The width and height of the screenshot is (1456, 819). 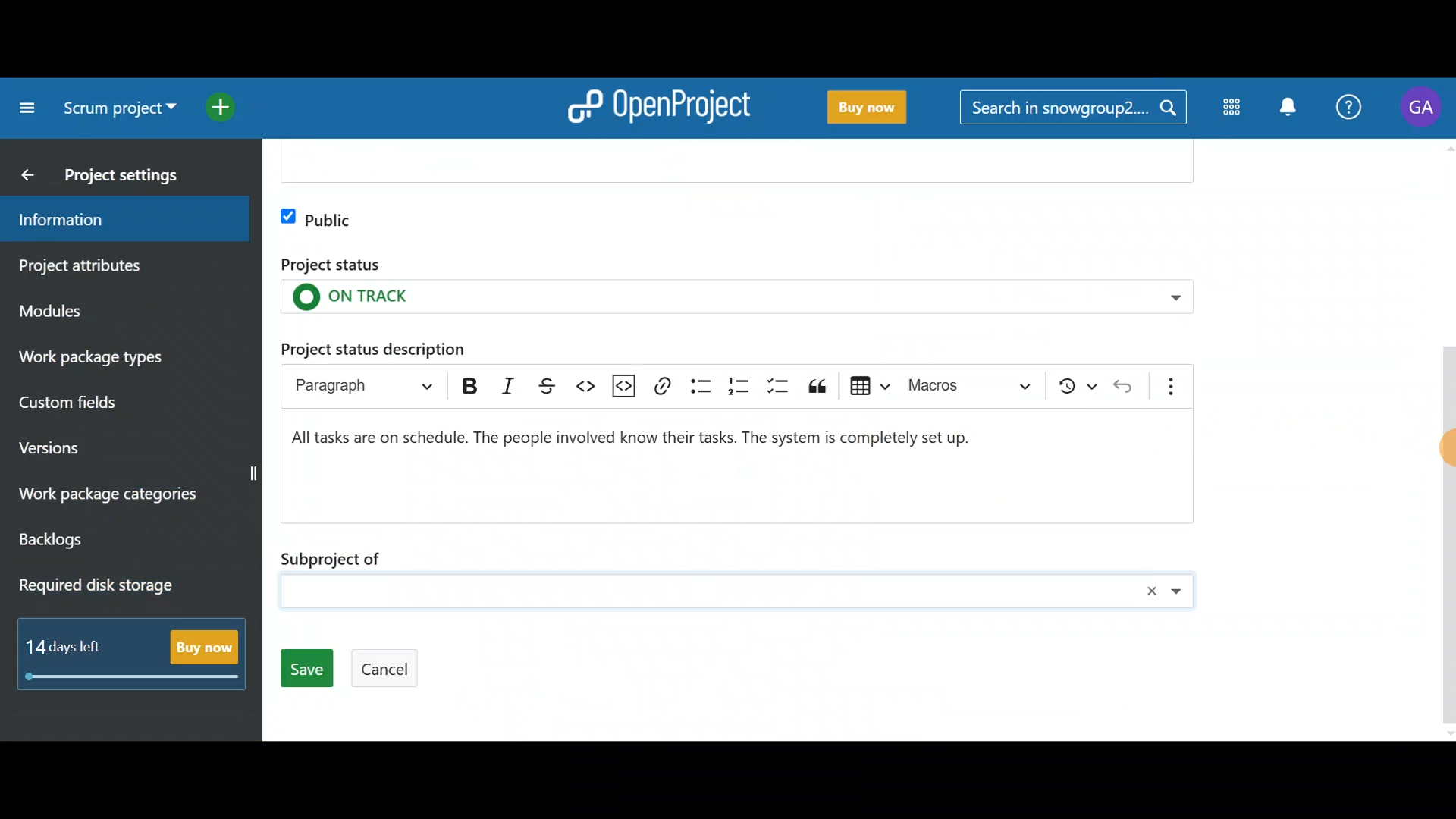 I want to click on Project status, so click(x=733, y=290).